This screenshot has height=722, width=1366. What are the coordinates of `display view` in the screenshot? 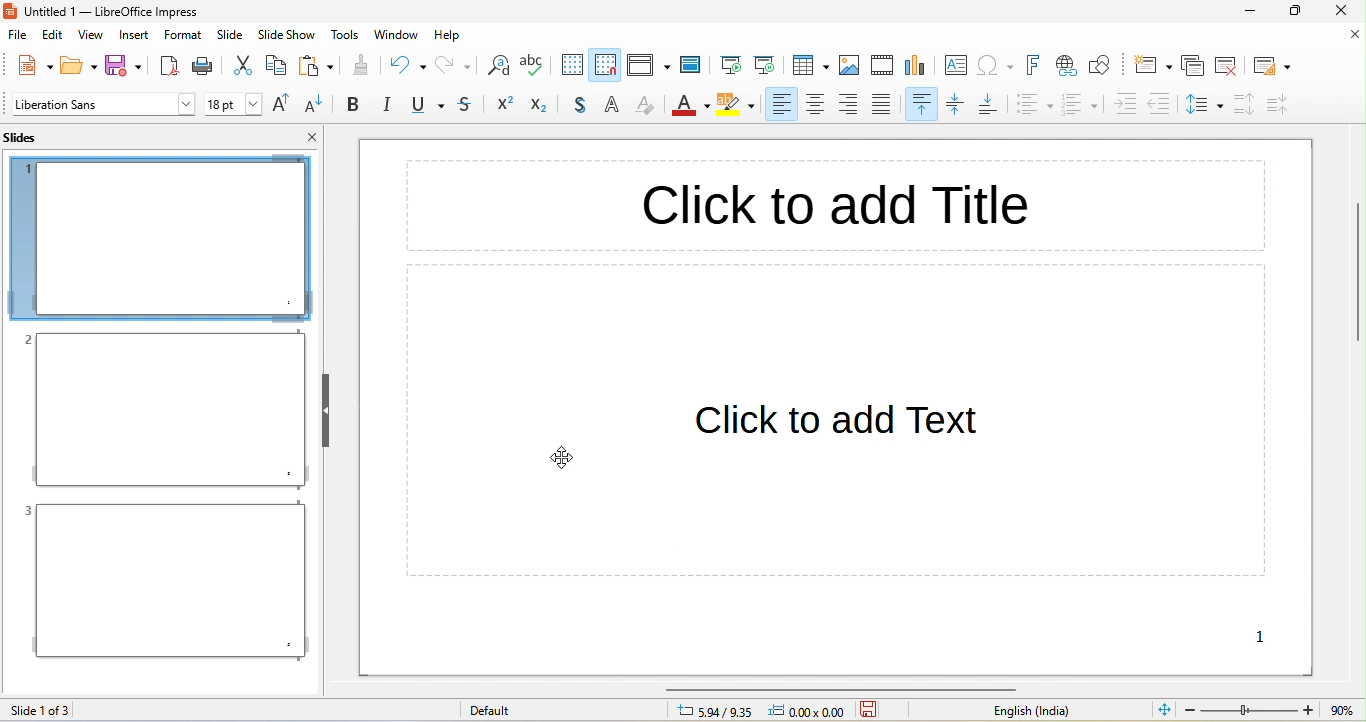 It's located at (648, 65).